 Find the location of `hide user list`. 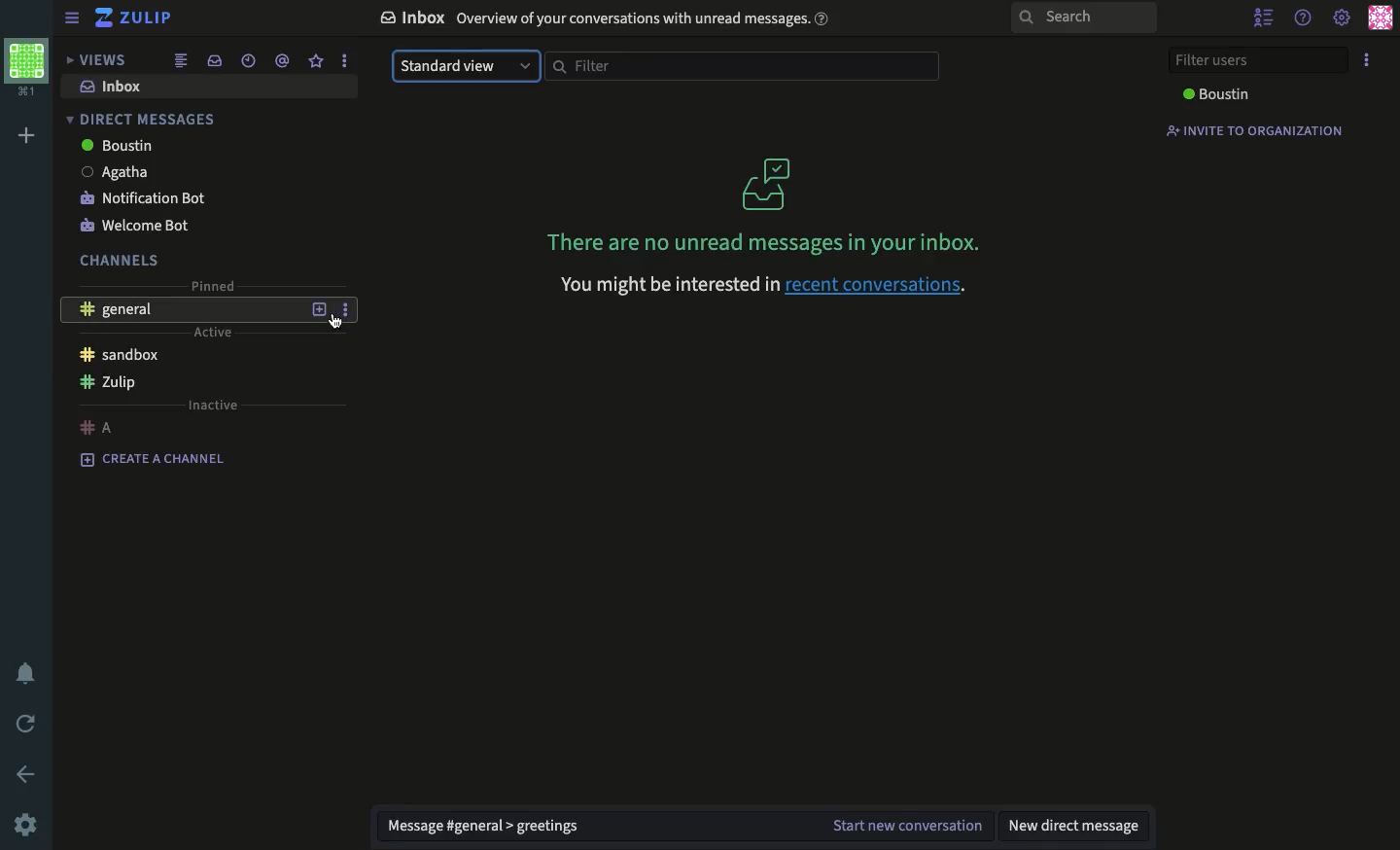

hide user list is located at coordinates (1263, 17).